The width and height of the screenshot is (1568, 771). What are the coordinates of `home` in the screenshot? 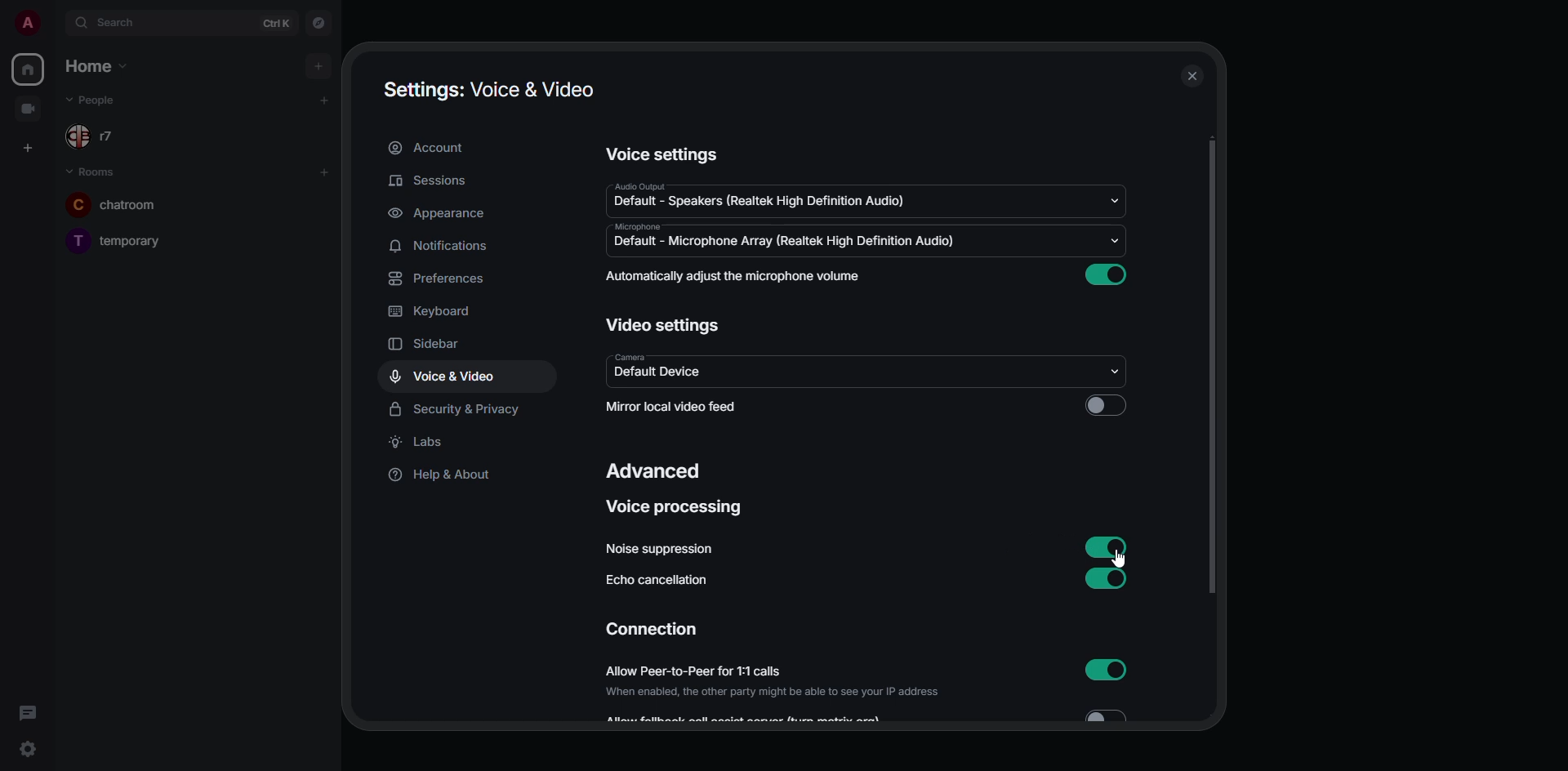 It's located at (28, 69).